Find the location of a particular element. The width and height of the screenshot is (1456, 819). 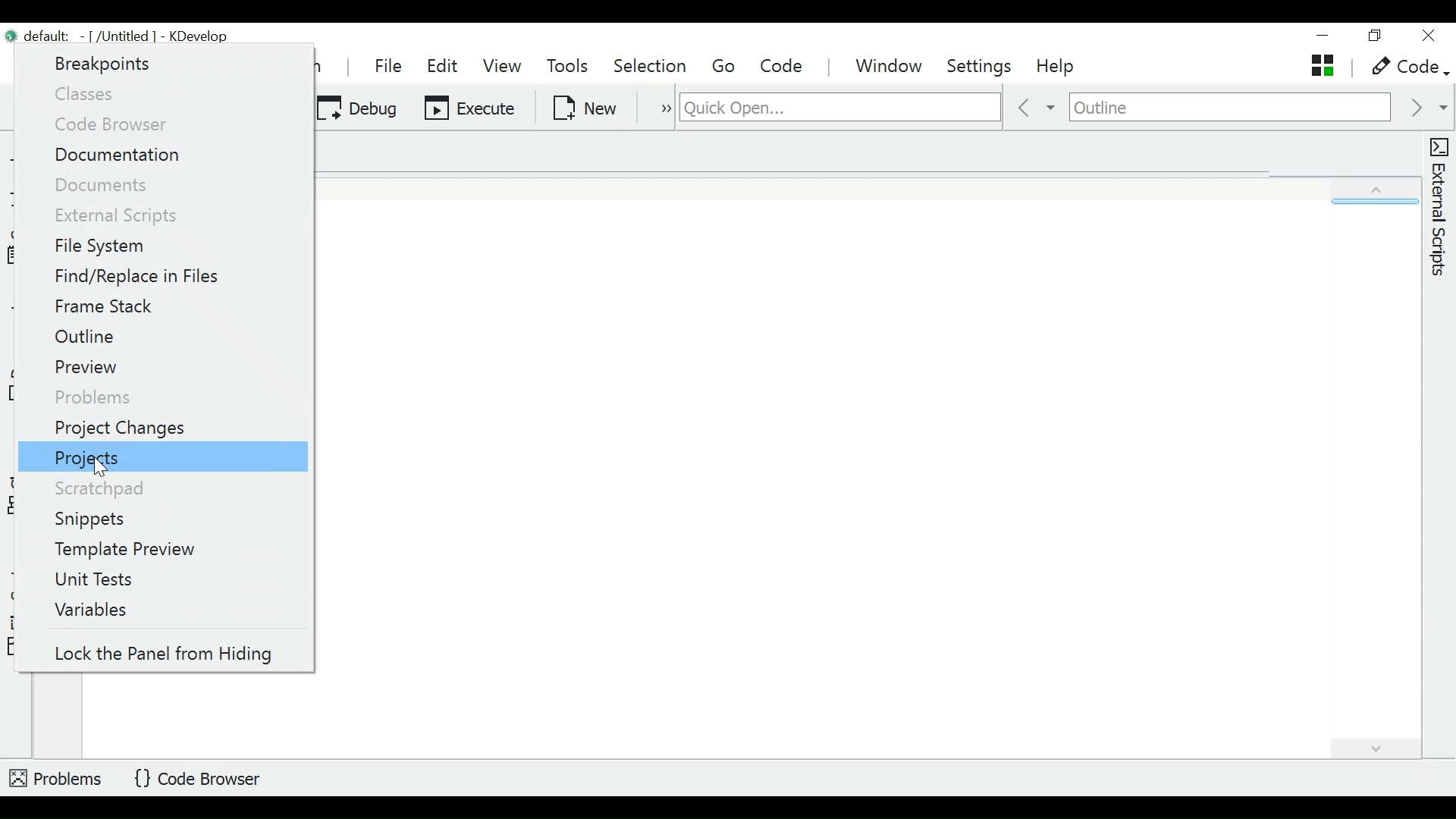

Frame Stack is located at coordinates (107, 307).